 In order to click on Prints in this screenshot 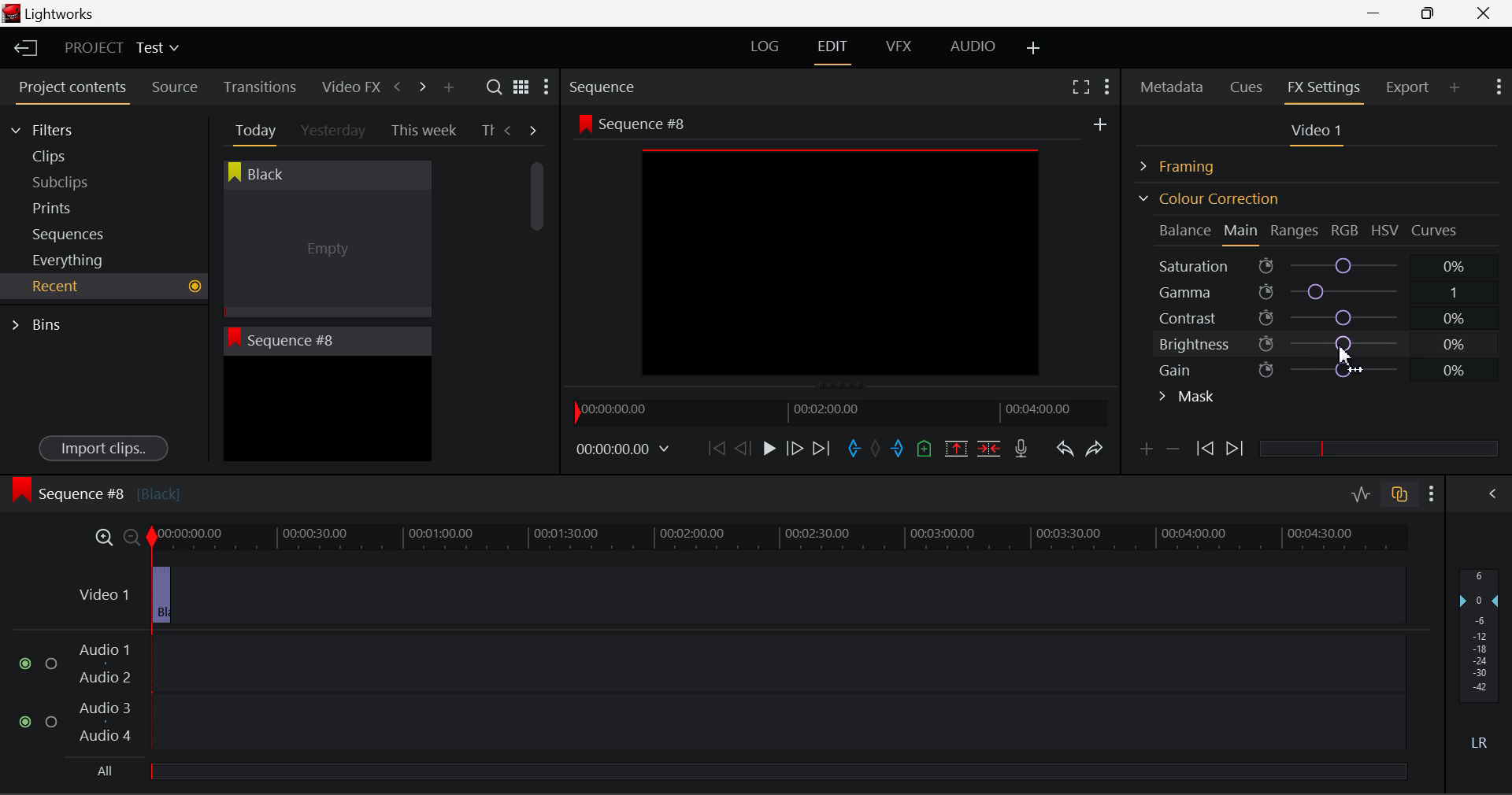, I will do `click(74, 205)`.